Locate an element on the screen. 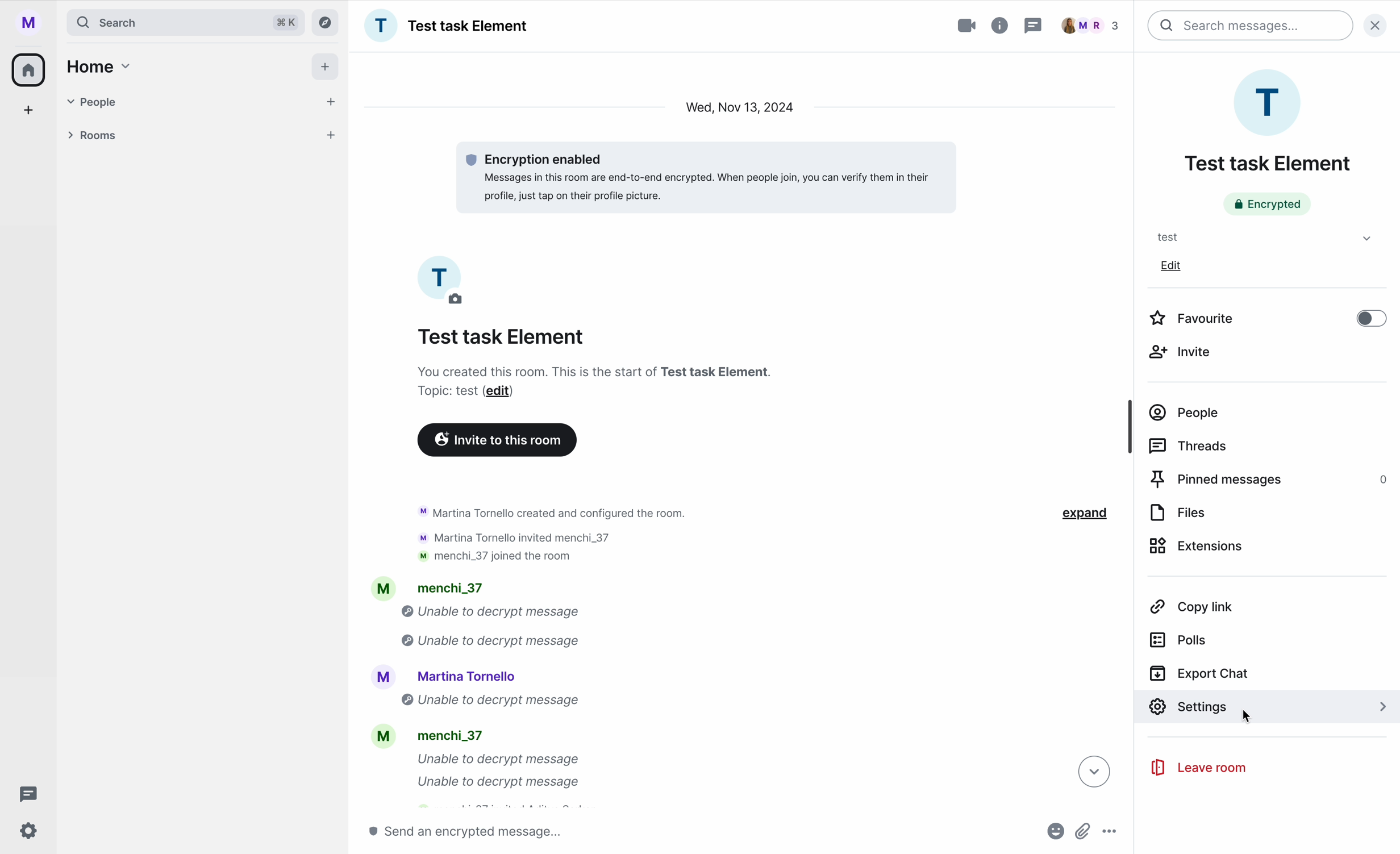  add is located at coordinates (29, 110).